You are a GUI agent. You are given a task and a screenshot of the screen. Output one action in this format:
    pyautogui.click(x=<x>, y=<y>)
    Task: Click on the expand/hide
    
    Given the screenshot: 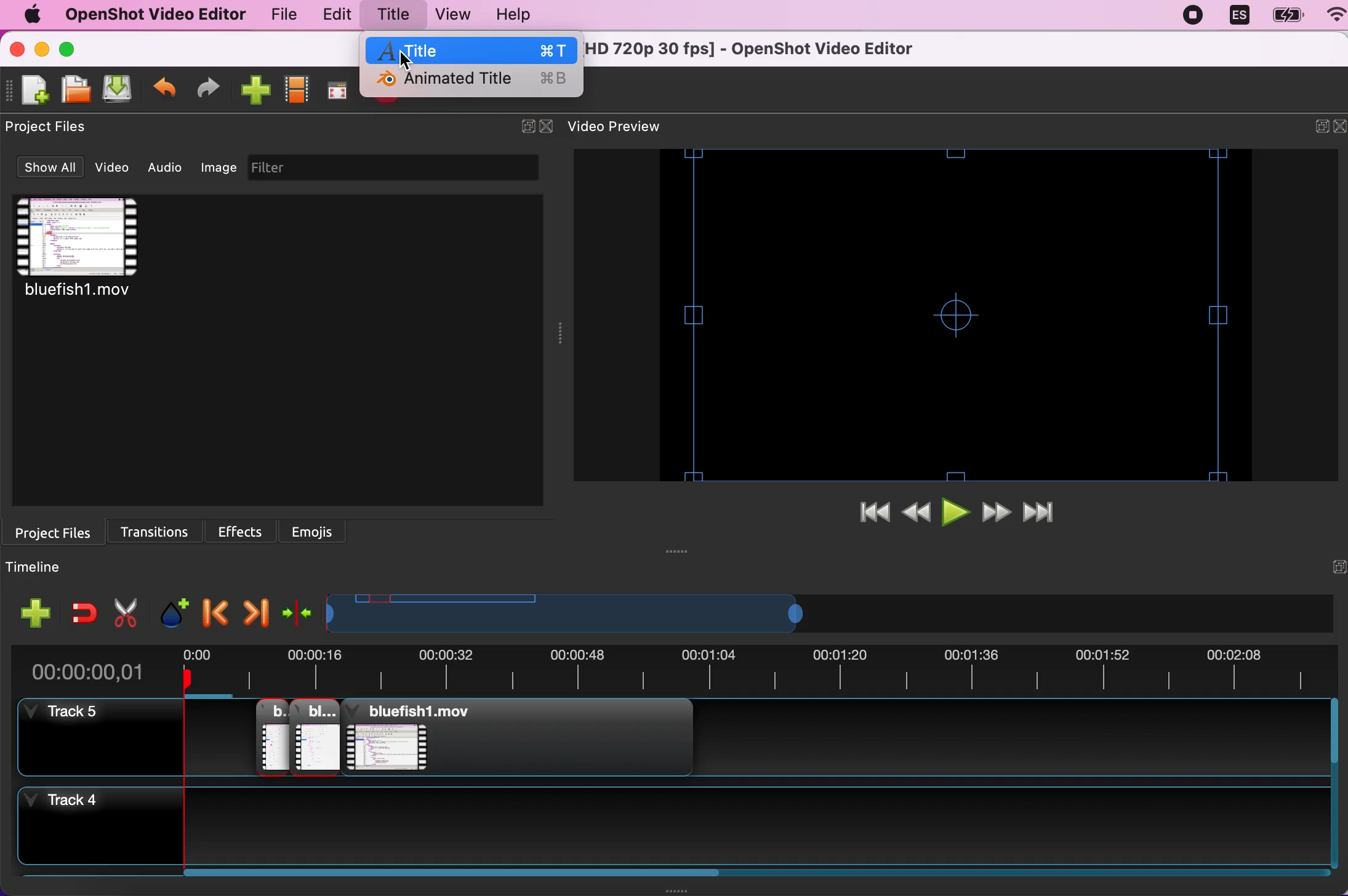 What is the action you would take?
    pyautogui.click(x=1313, y=129)
    